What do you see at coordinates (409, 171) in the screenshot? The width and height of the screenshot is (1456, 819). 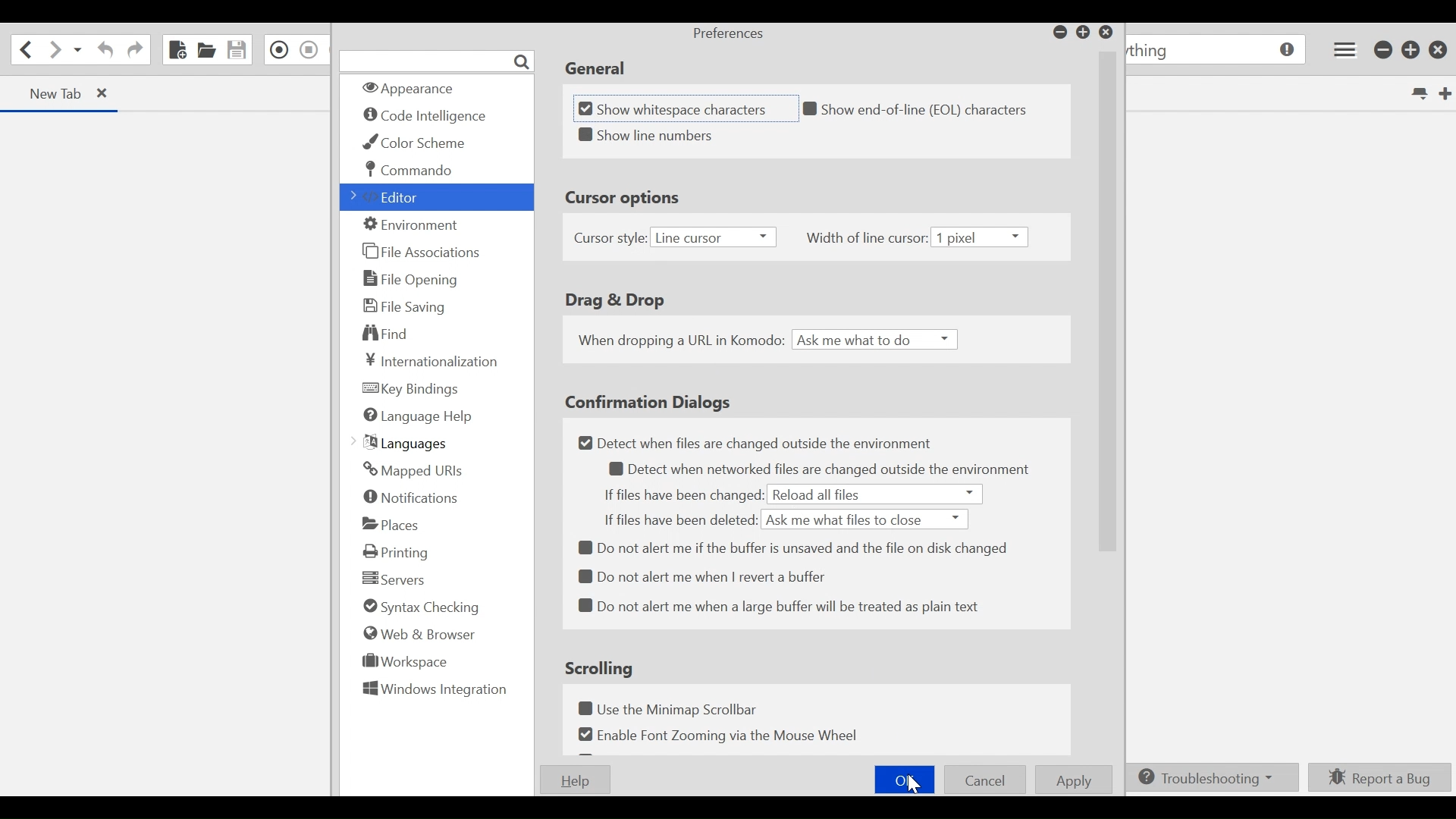 I see `Commando` at bounding box center [409, 171].